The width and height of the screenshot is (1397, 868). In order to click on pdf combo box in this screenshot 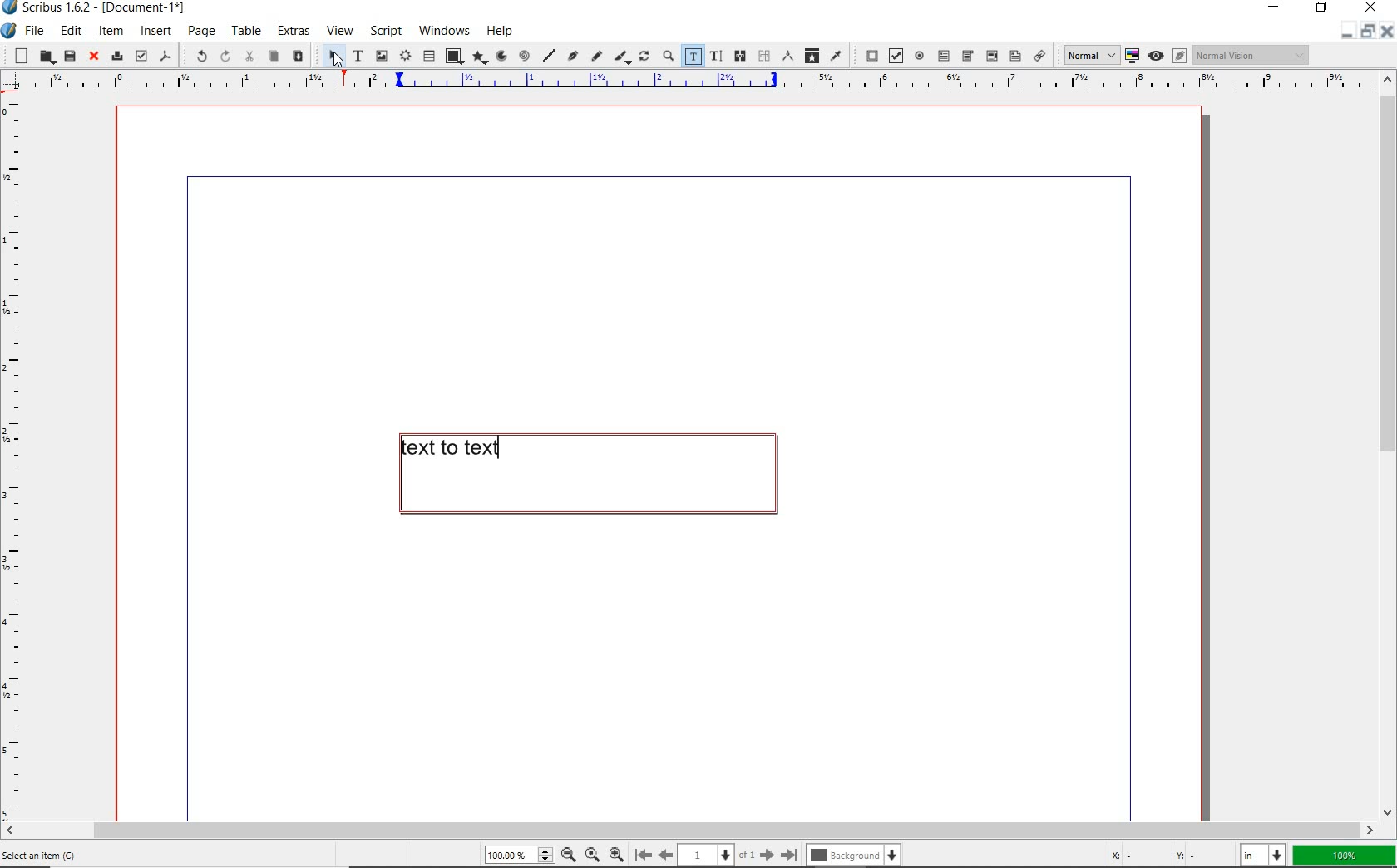, I will do `click(967, 56)`.